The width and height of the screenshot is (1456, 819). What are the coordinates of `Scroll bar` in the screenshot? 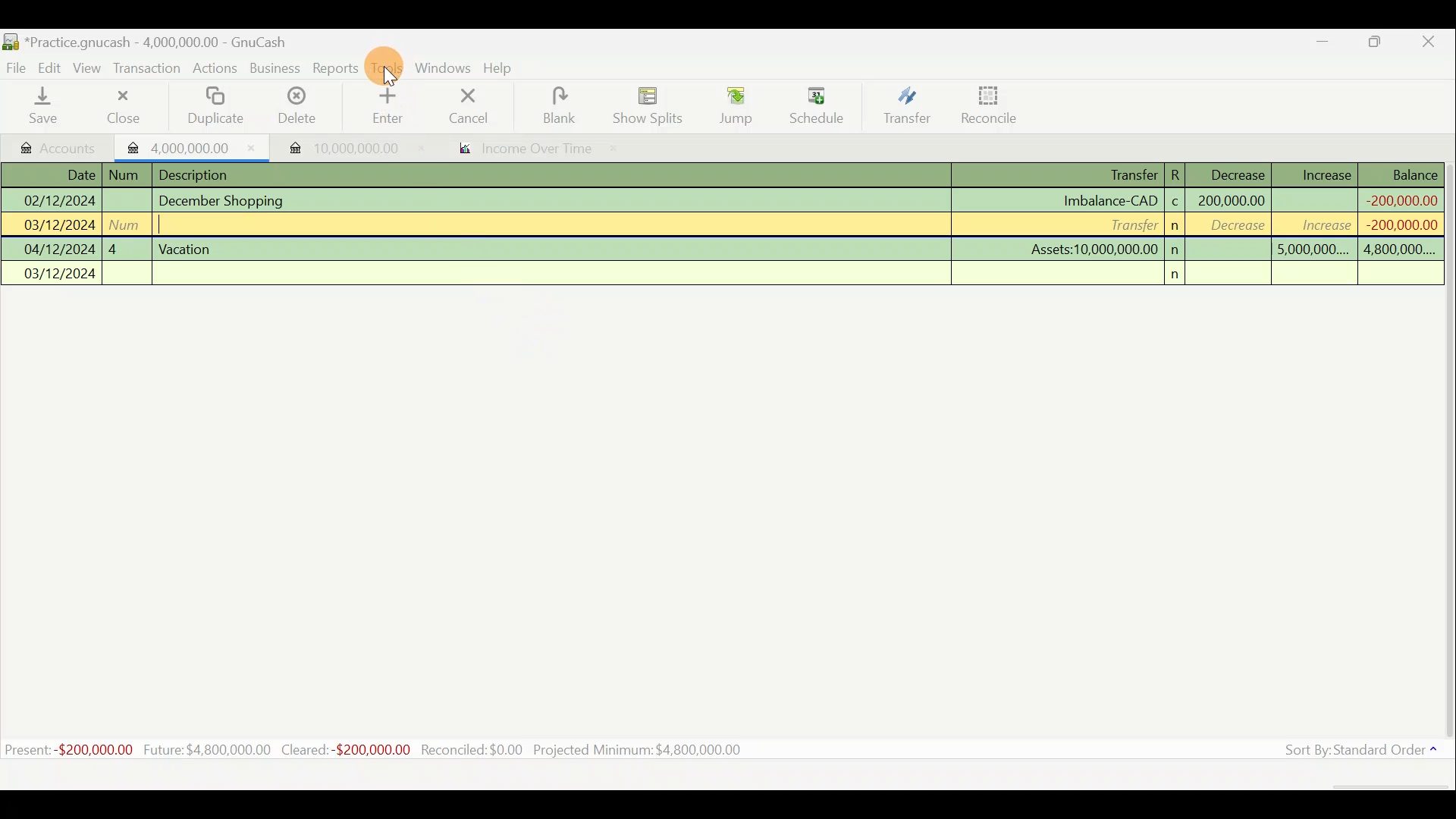 It's located at (1447, 454).